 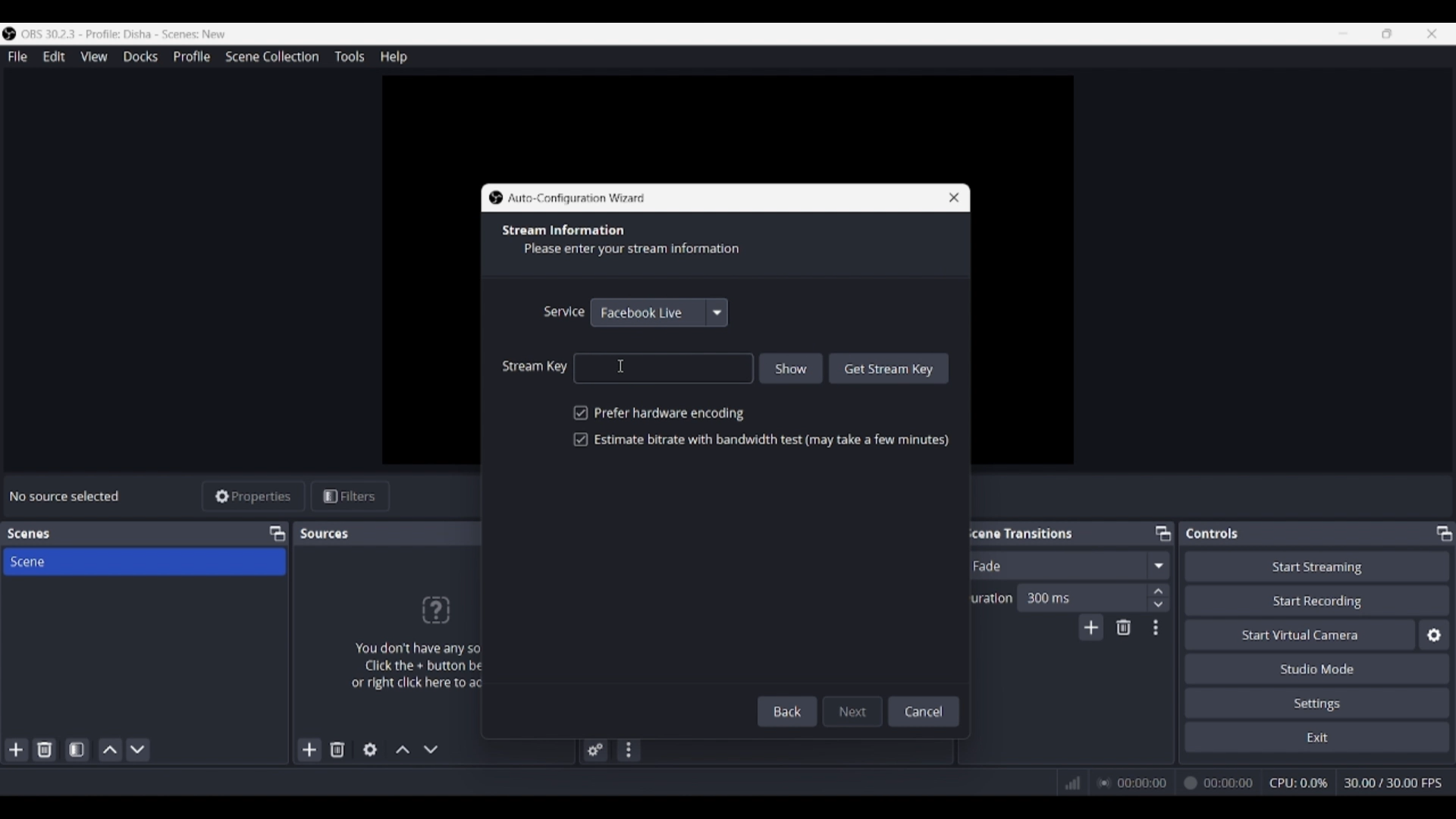 What do you see at coordinates (337, 749) in the screenshot?
I see `Remove selected source` at bounding box center [337, 749].